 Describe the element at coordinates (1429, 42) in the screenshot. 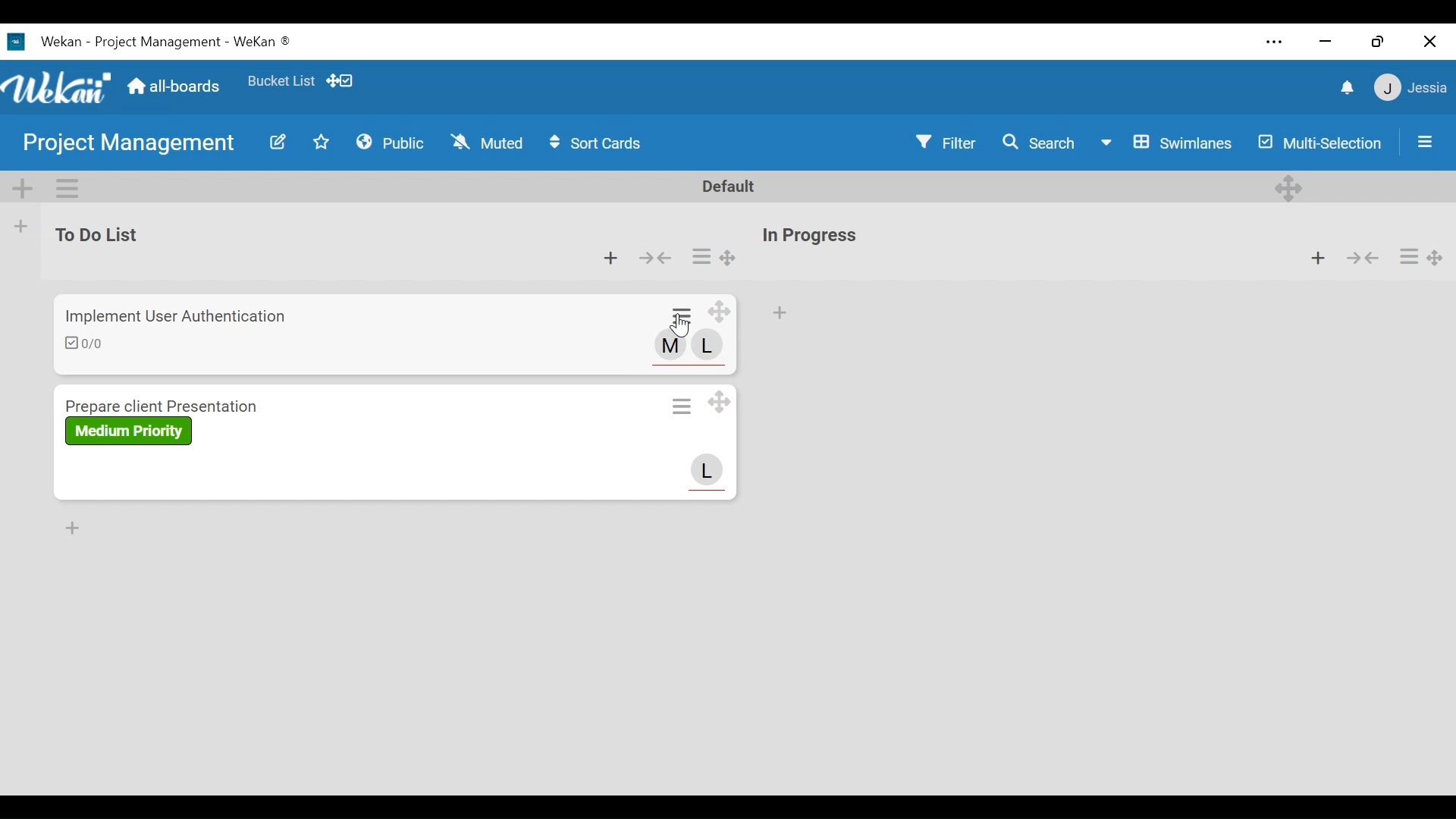

I see `close` at that location.